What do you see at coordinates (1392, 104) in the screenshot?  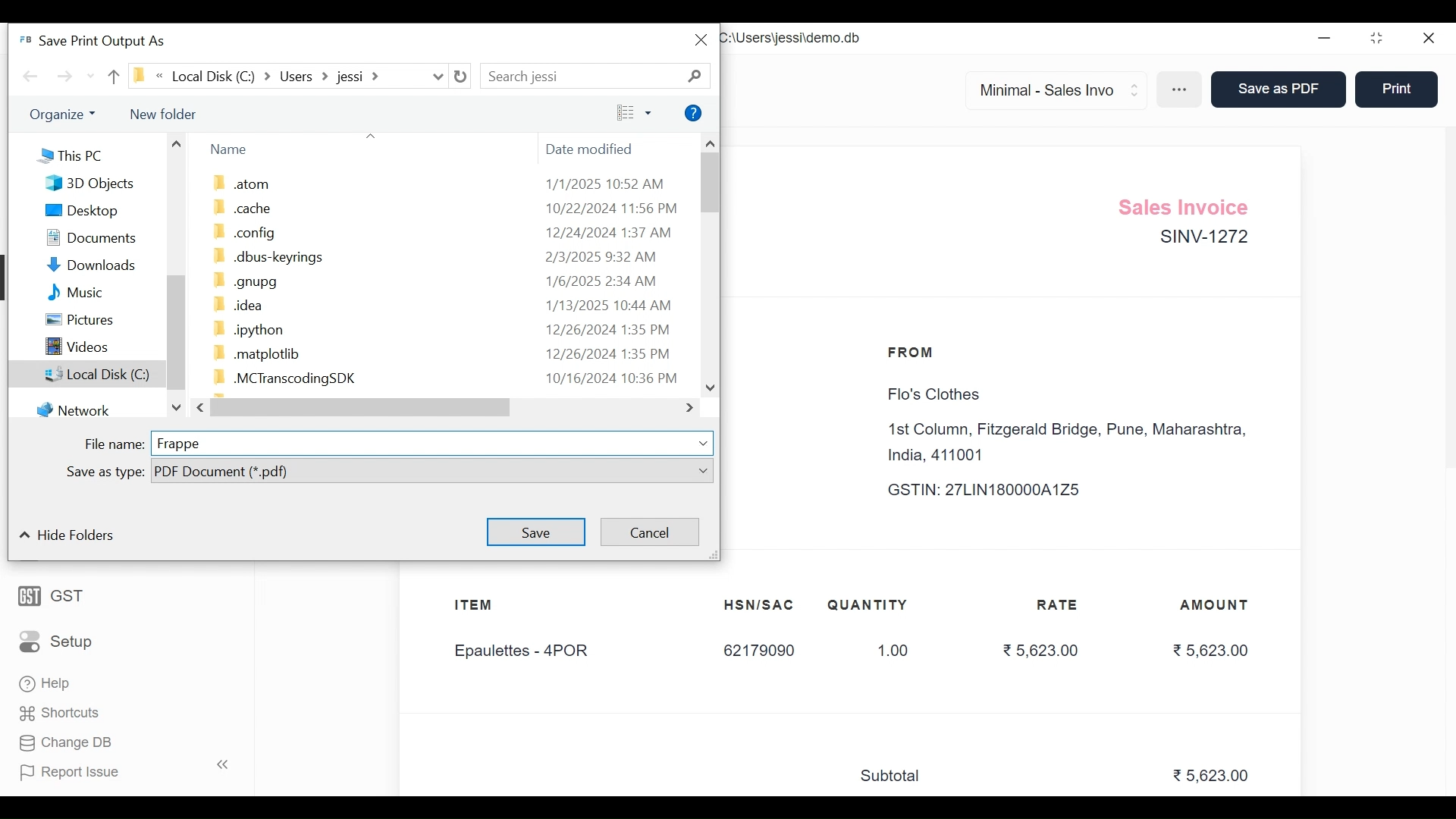 I see `cursor` at bounding box center [1392, 104].